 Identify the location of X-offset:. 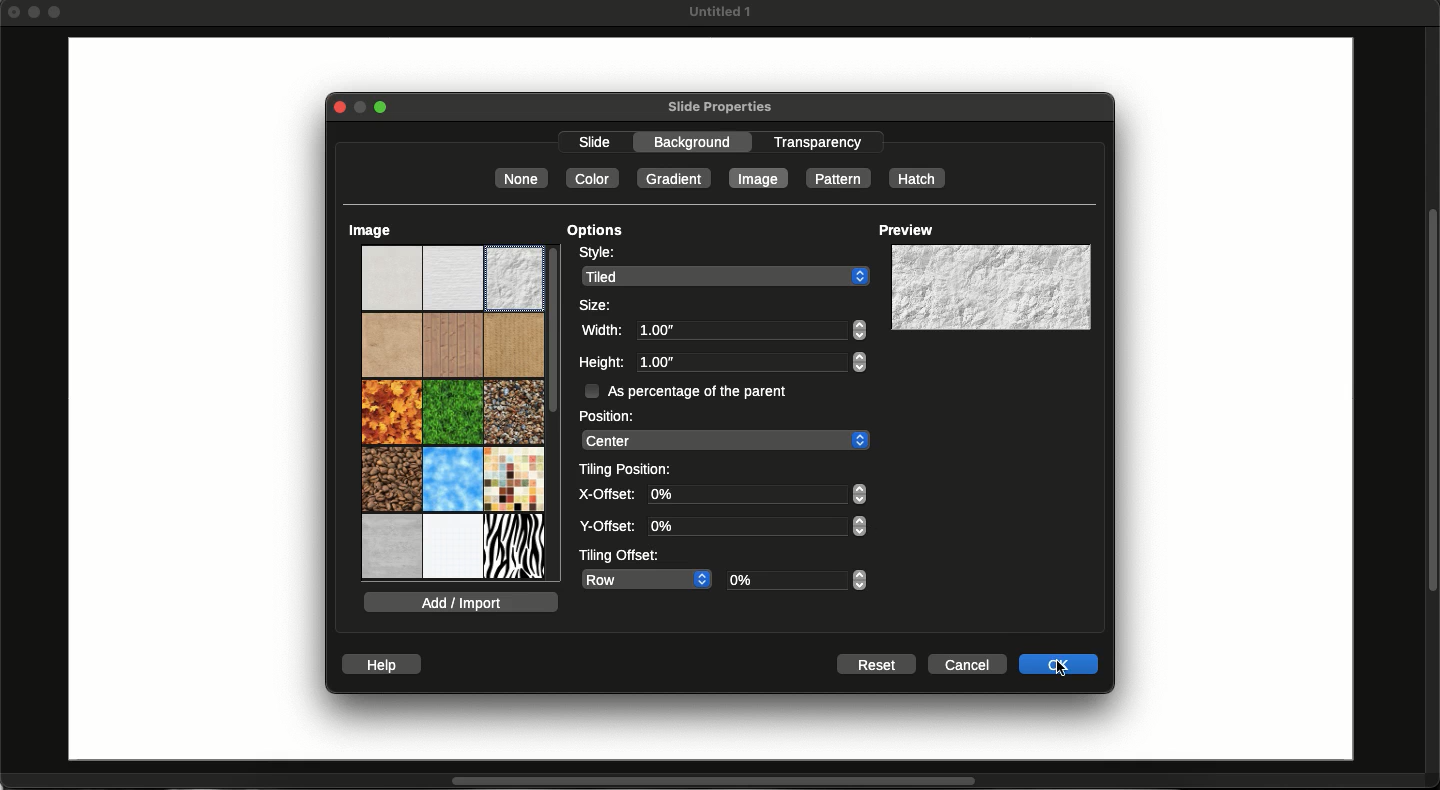
(606, 494).